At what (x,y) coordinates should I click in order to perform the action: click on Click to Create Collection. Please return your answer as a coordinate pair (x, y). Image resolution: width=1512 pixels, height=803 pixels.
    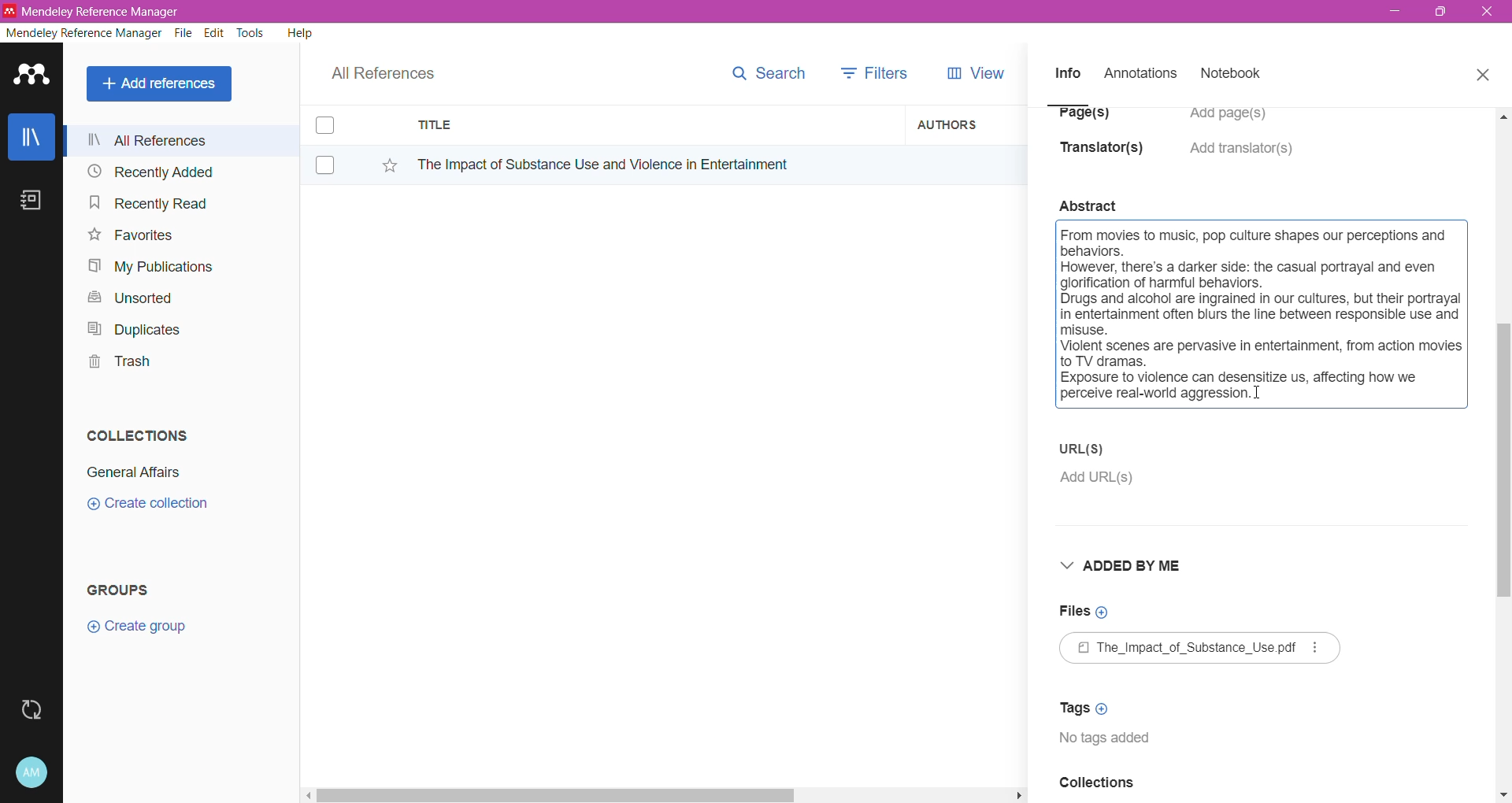
    Looking at the image, I should click on (147, 506).